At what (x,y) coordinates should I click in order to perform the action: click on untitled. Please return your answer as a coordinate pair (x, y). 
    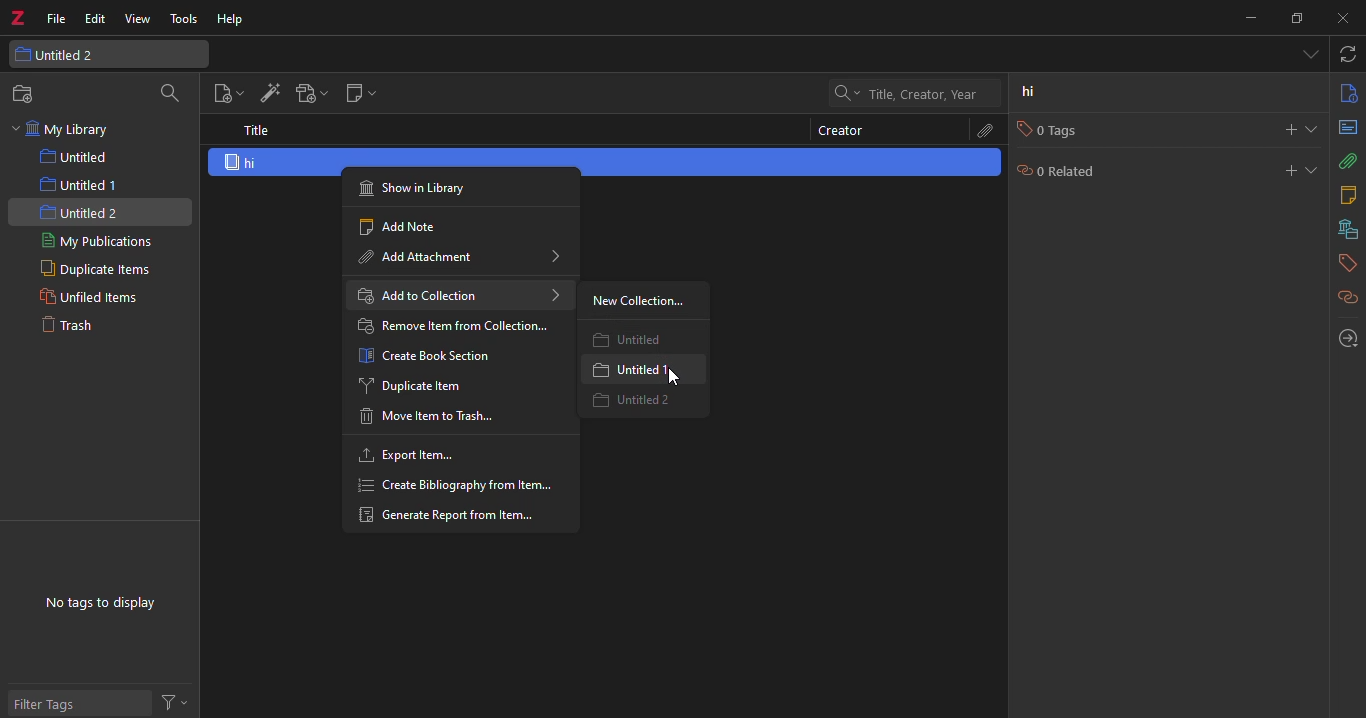
    Looking at the image, I should click on (635, 338).